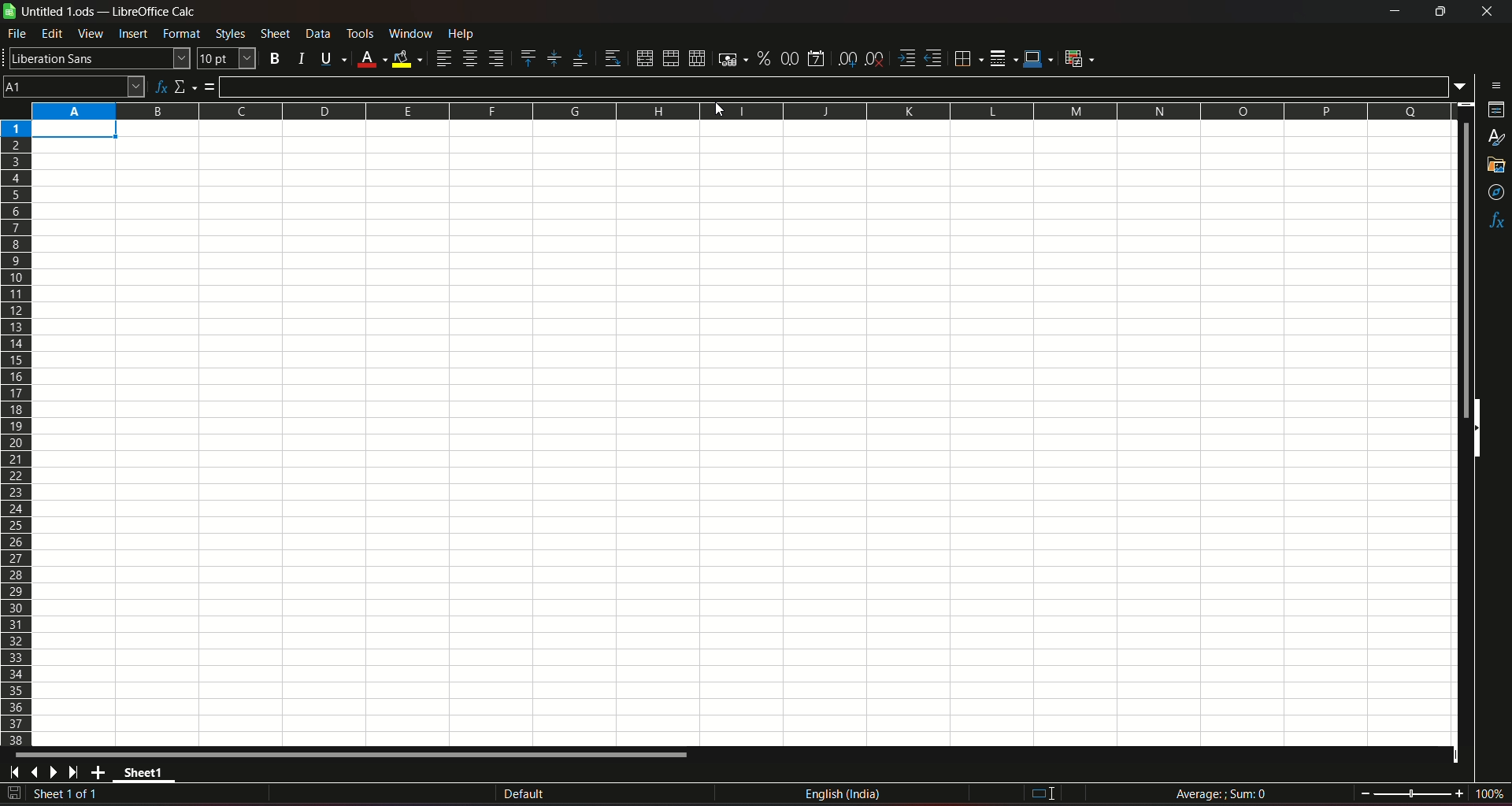 This screenshot has width=1512, height=806. Describe the element at coordinates (1480, 431) in the screenshot. I see `hide` at that location.